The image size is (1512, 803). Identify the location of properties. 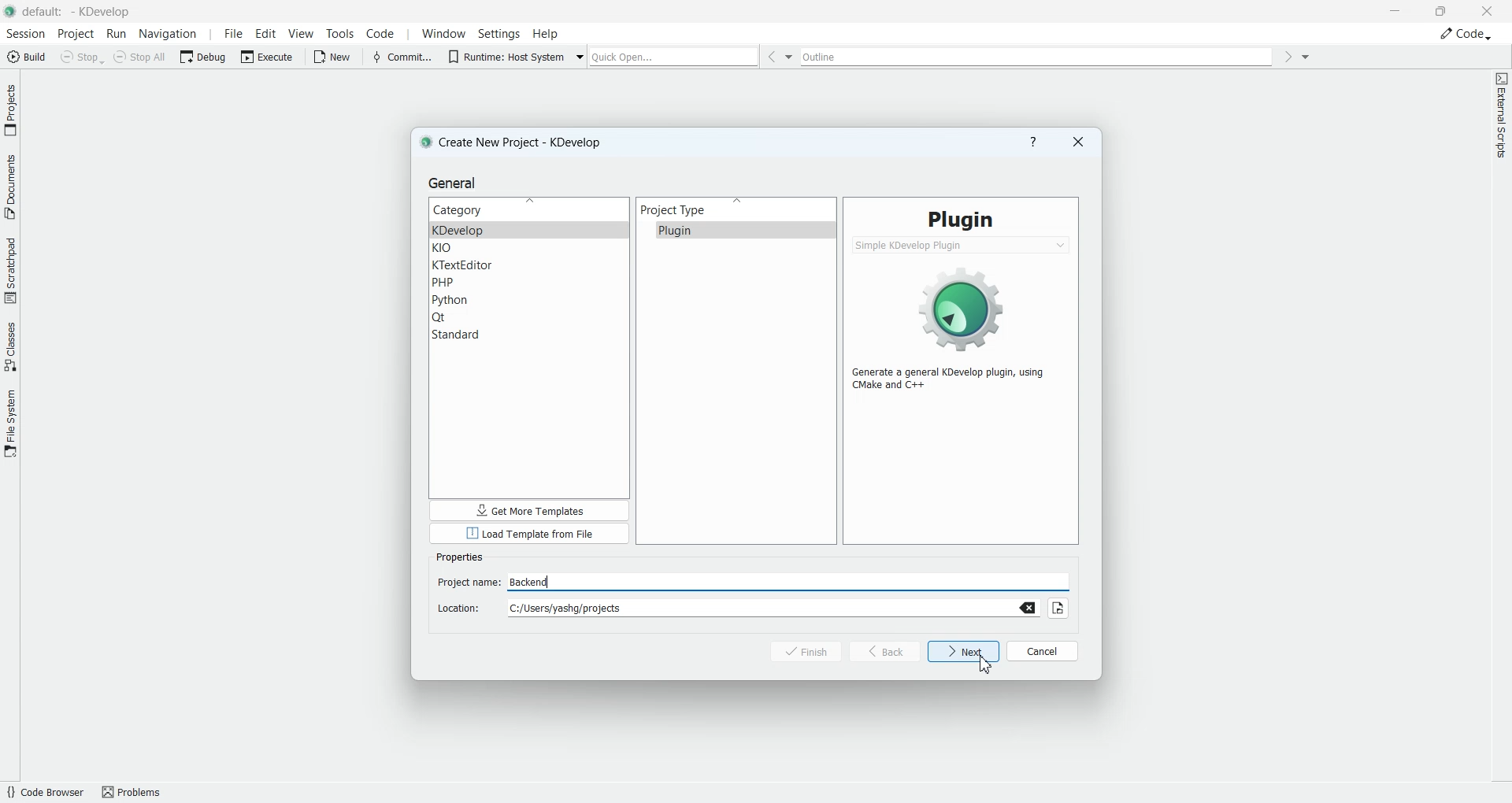
(465, 556).